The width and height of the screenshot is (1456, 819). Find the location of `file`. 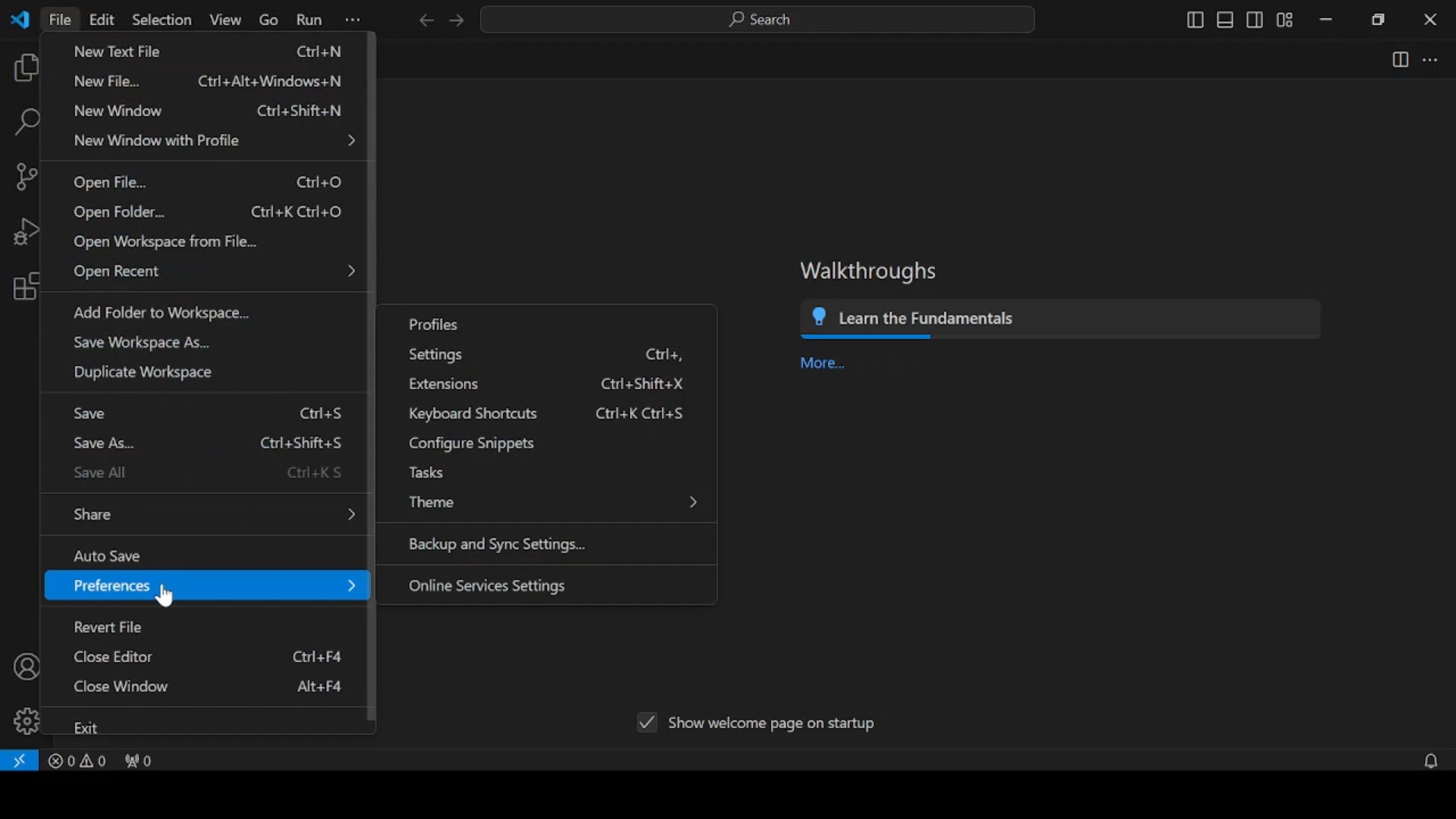

file is located at coordinates (61, 20).